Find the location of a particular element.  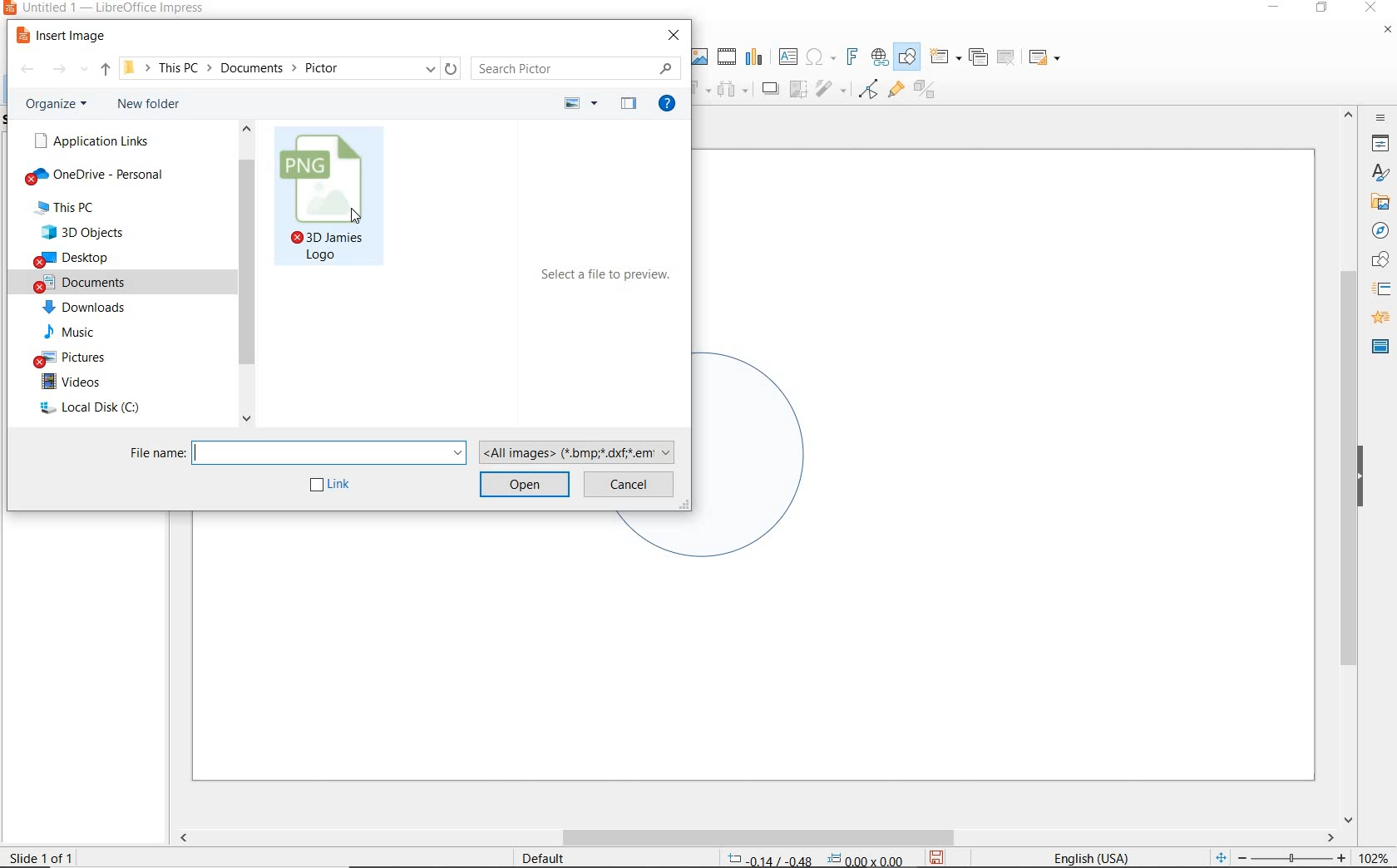

OPEN is located at coordinates (524, 483).